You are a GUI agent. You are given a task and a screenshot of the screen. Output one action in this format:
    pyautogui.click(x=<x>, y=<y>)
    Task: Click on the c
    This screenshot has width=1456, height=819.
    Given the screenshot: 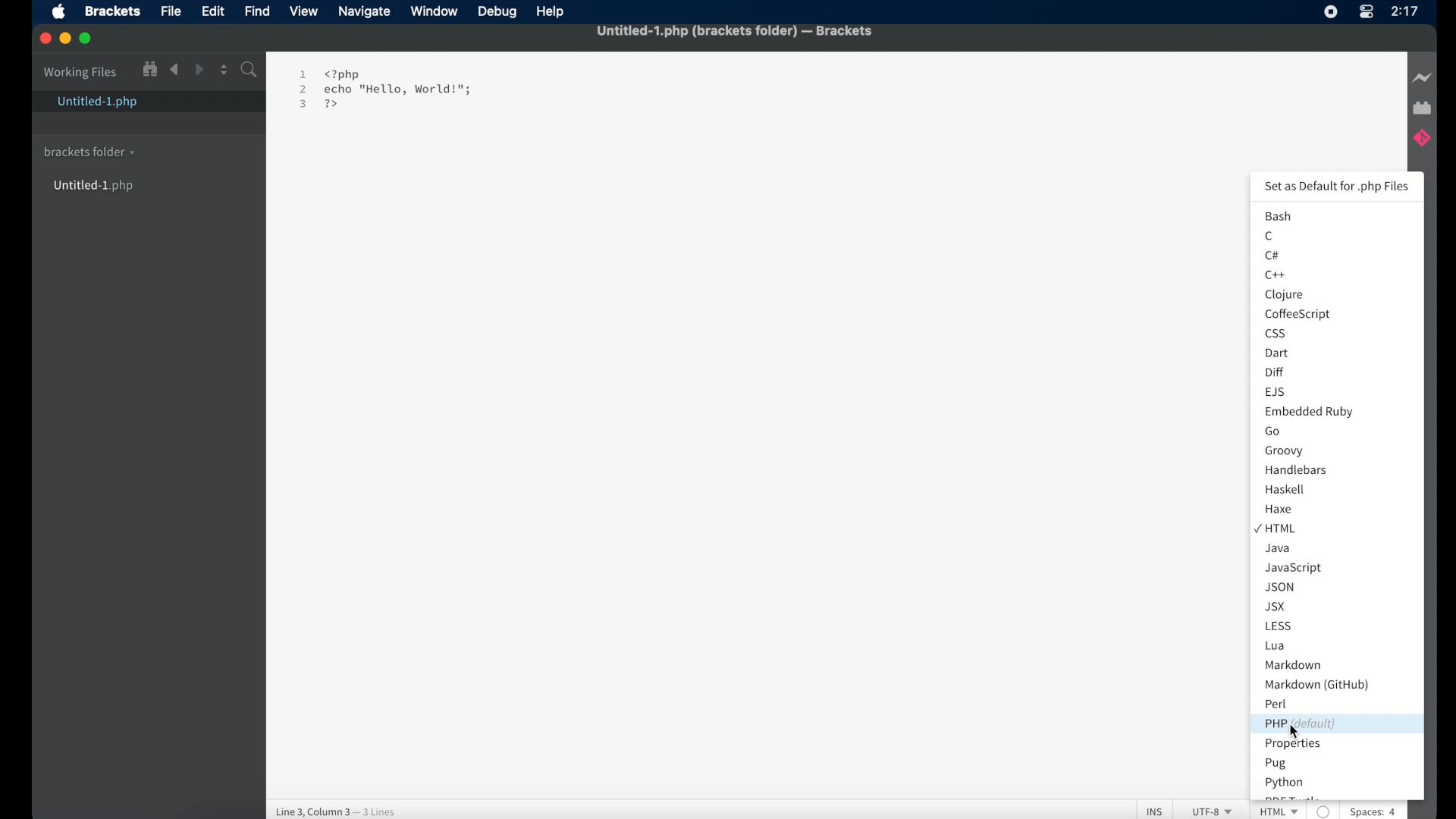 What is the action you would take?
    pyautogui.click(x=1270, y=236)
    